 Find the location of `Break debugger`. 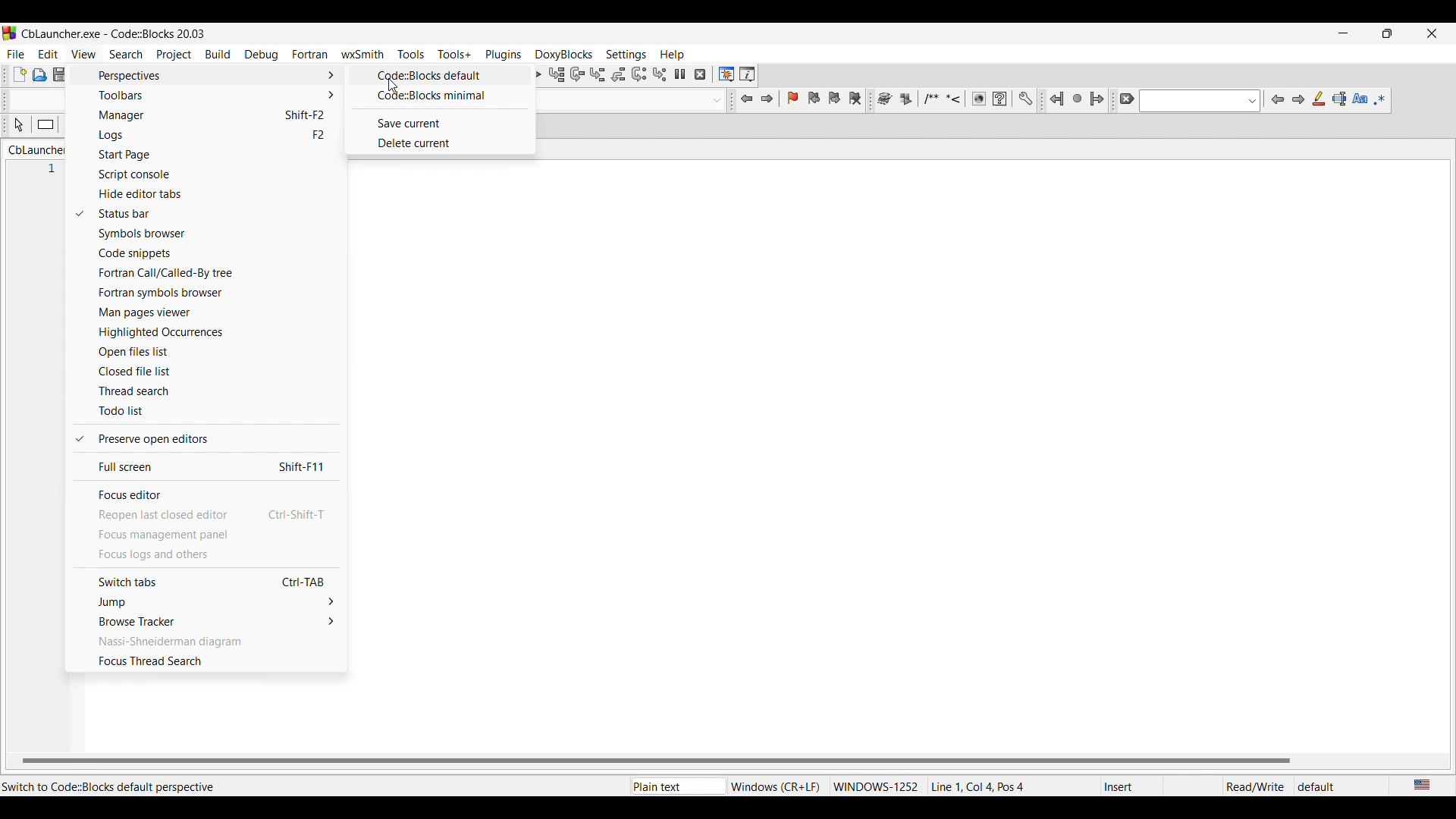

Break debugger is located at coordinates (680, 74).